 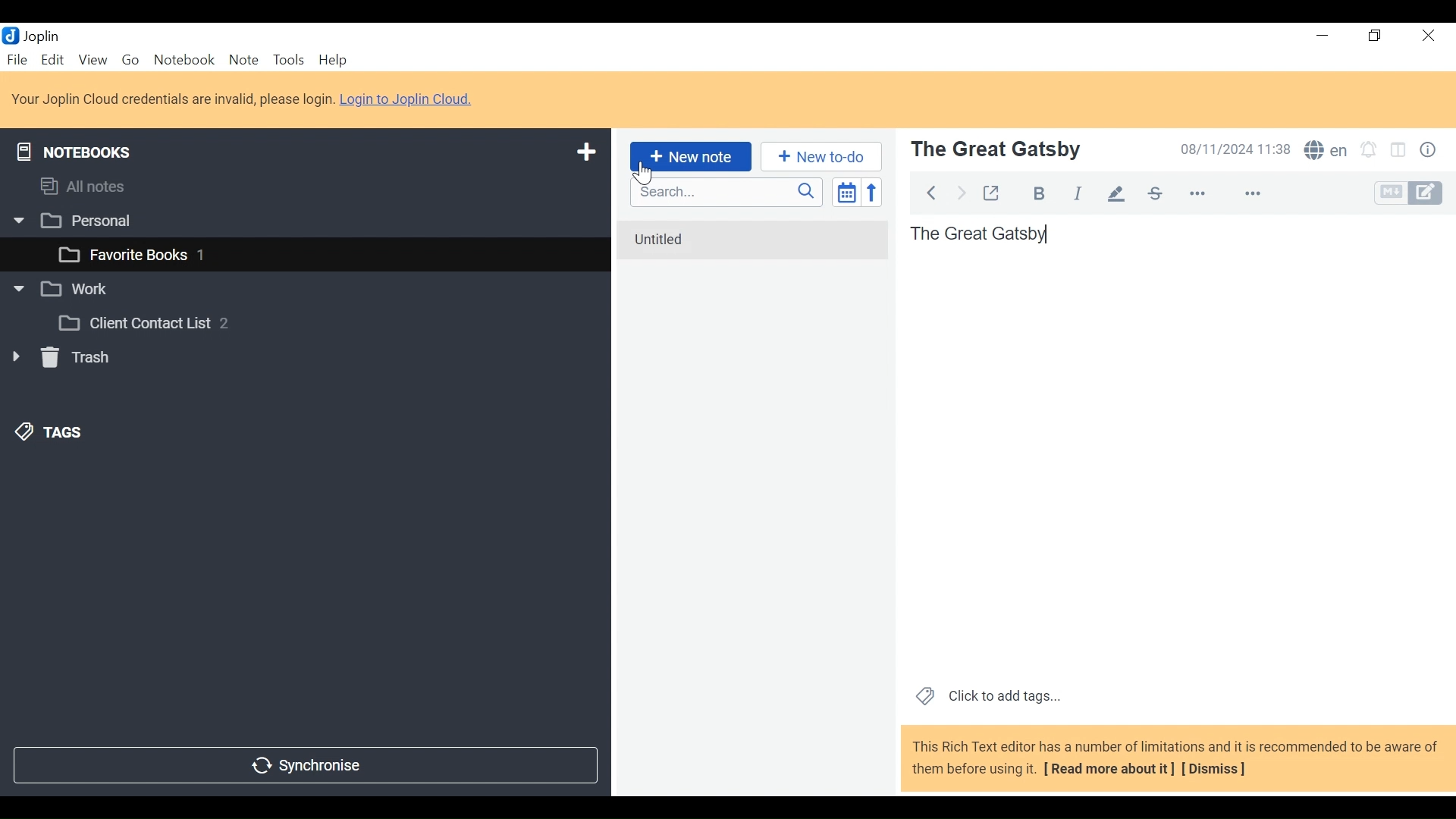 What do you see at coordinates (184, 61) in the screenshot?
I see `Notebook` at bounding box center [184, 61].